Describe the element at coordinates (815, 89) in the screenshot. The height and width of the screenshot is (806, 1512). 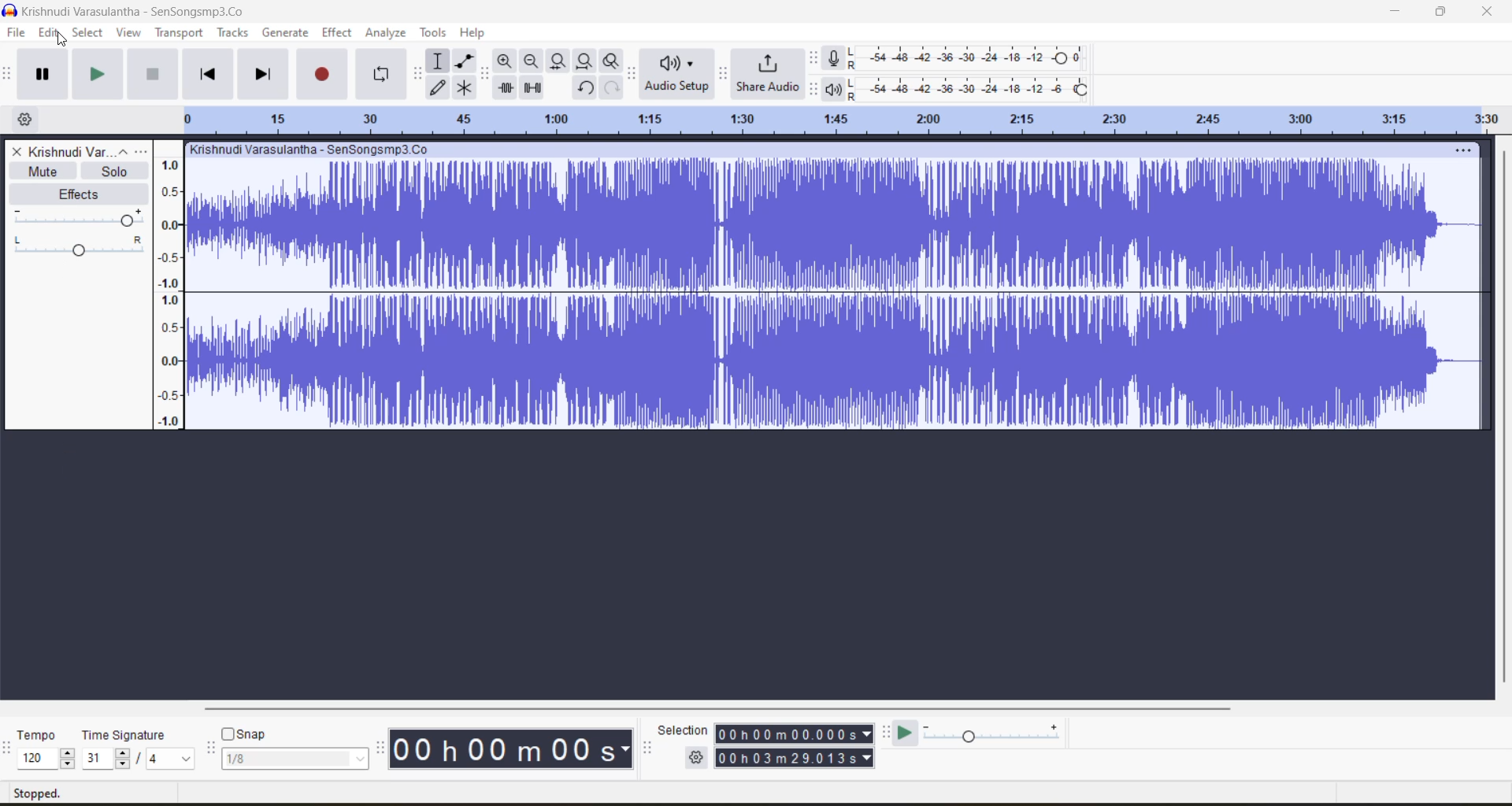
I see `playback meter toolbar` at that location.